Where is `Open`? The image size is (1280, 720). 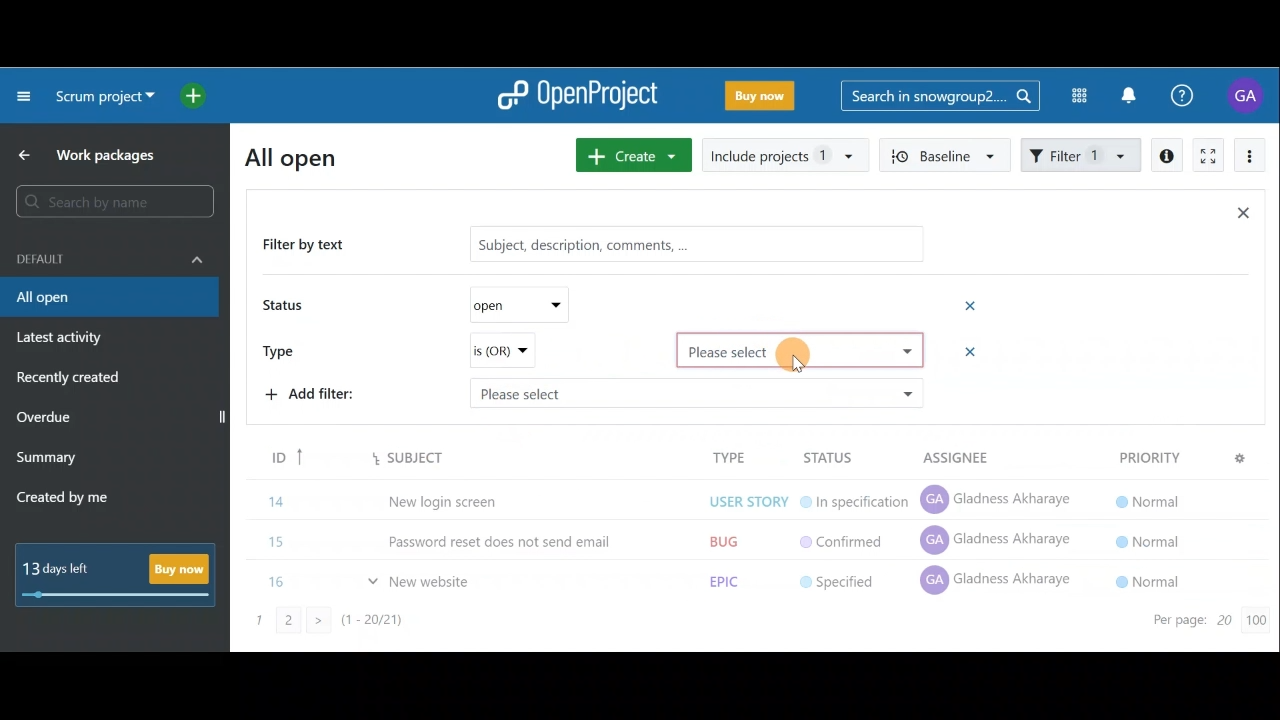 Open is located at coordinates (512, 305).